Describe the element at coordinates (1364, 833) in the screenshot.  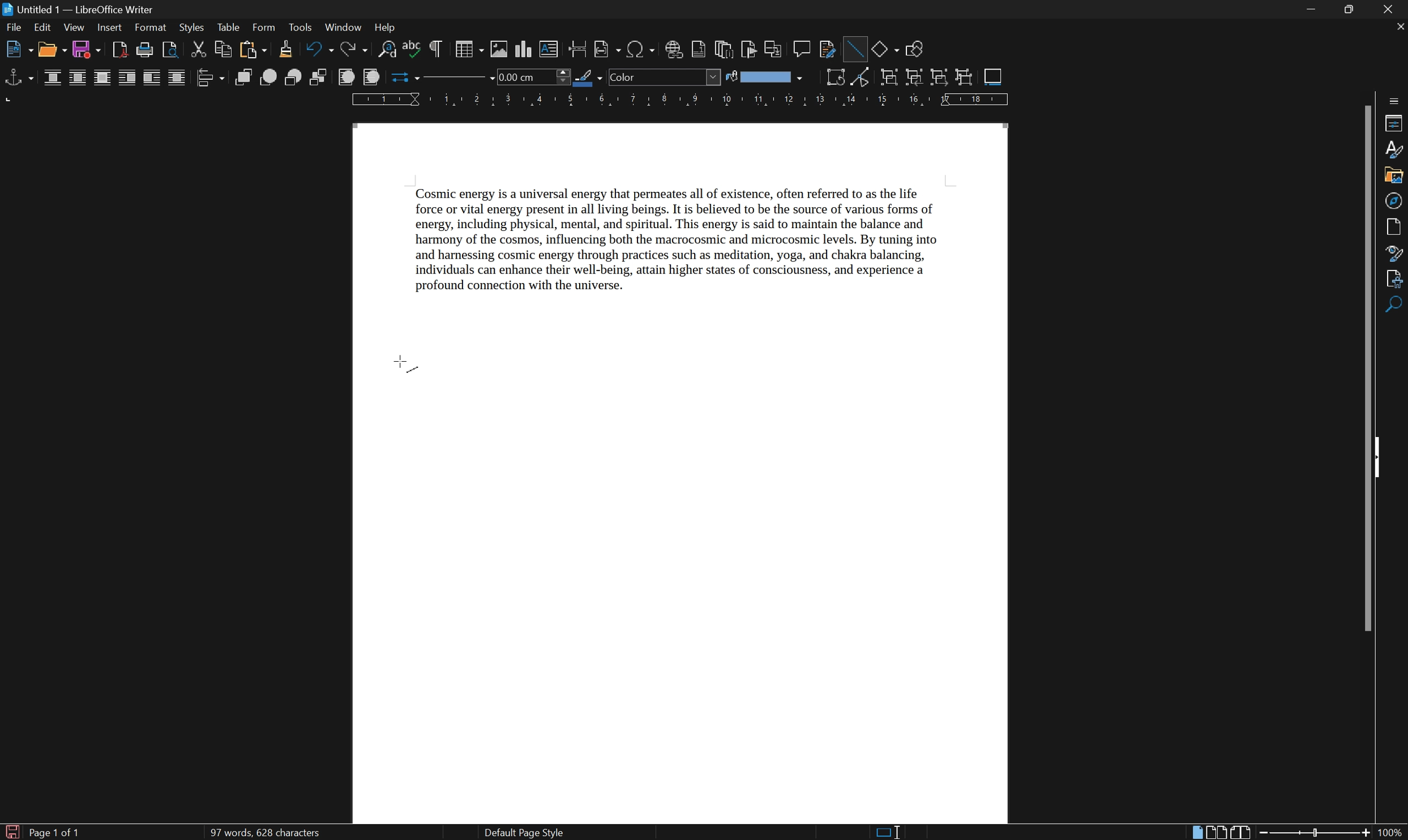
I see `zoom in` at that location.